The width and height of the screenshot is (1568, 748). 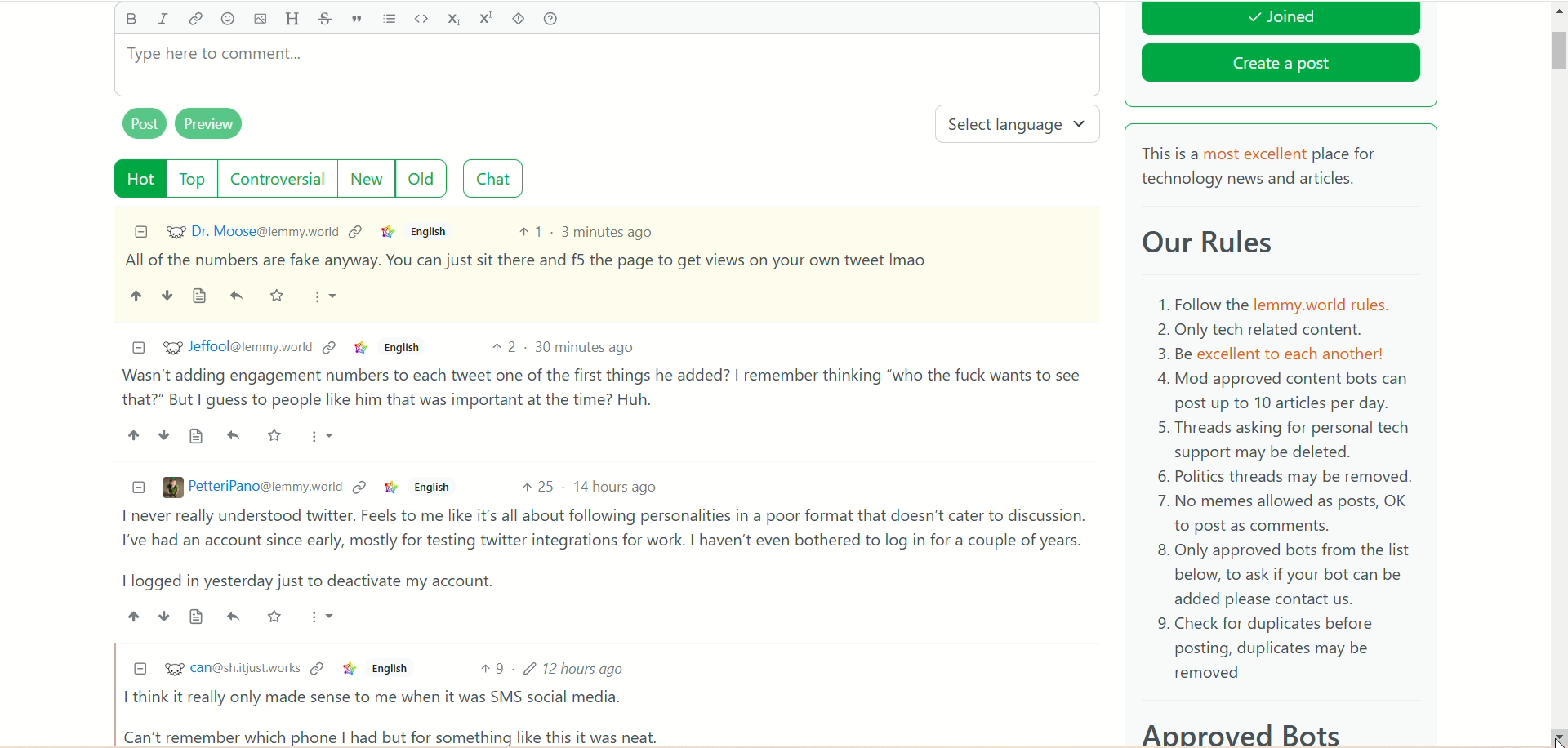 I want to click on Upvote 1, so click(x=530, y=231).